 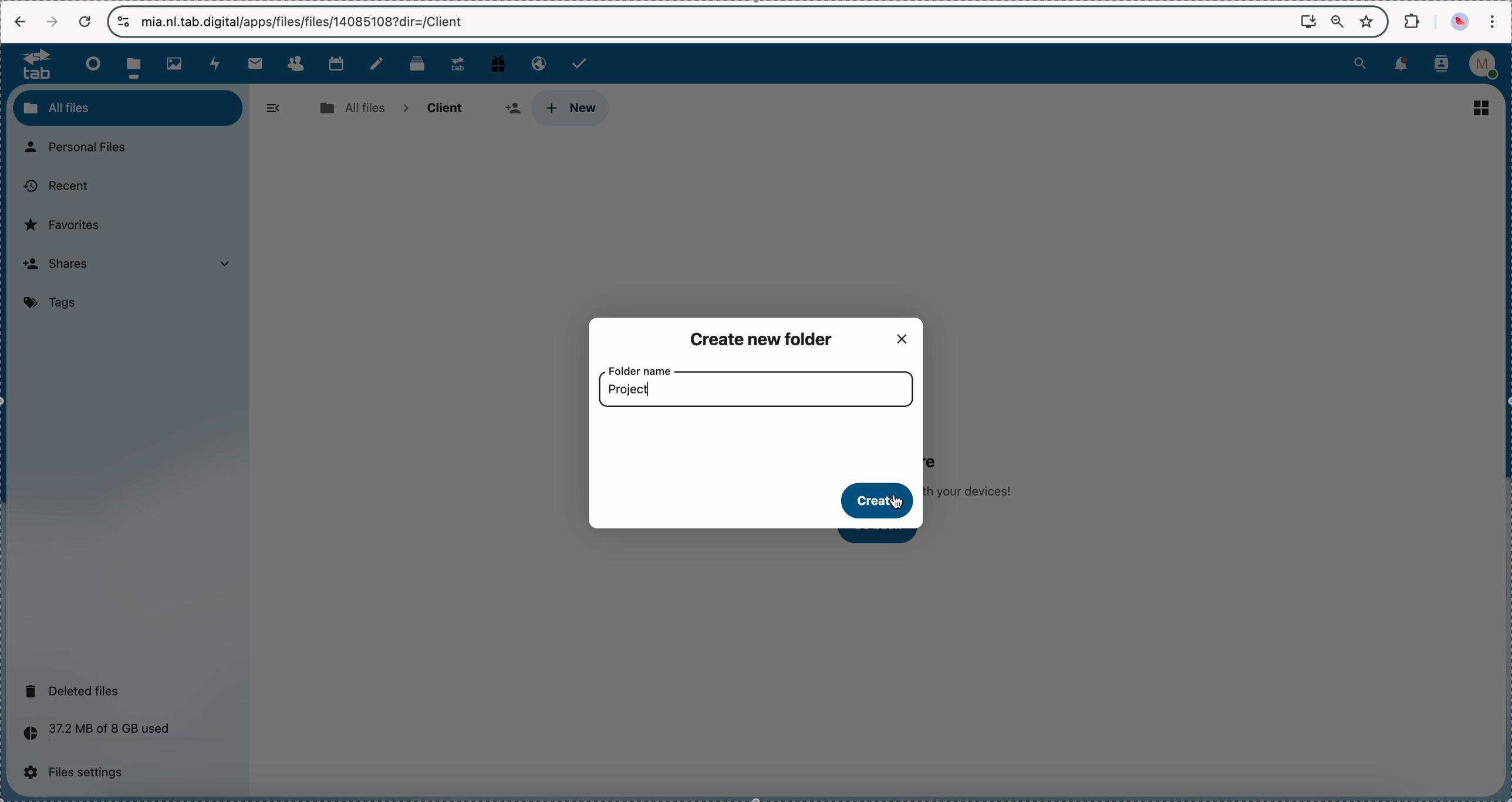 What do you see at coordinates (1487, 65) in the screenshot?
I see `profile` at bounding box center [1487, 65].